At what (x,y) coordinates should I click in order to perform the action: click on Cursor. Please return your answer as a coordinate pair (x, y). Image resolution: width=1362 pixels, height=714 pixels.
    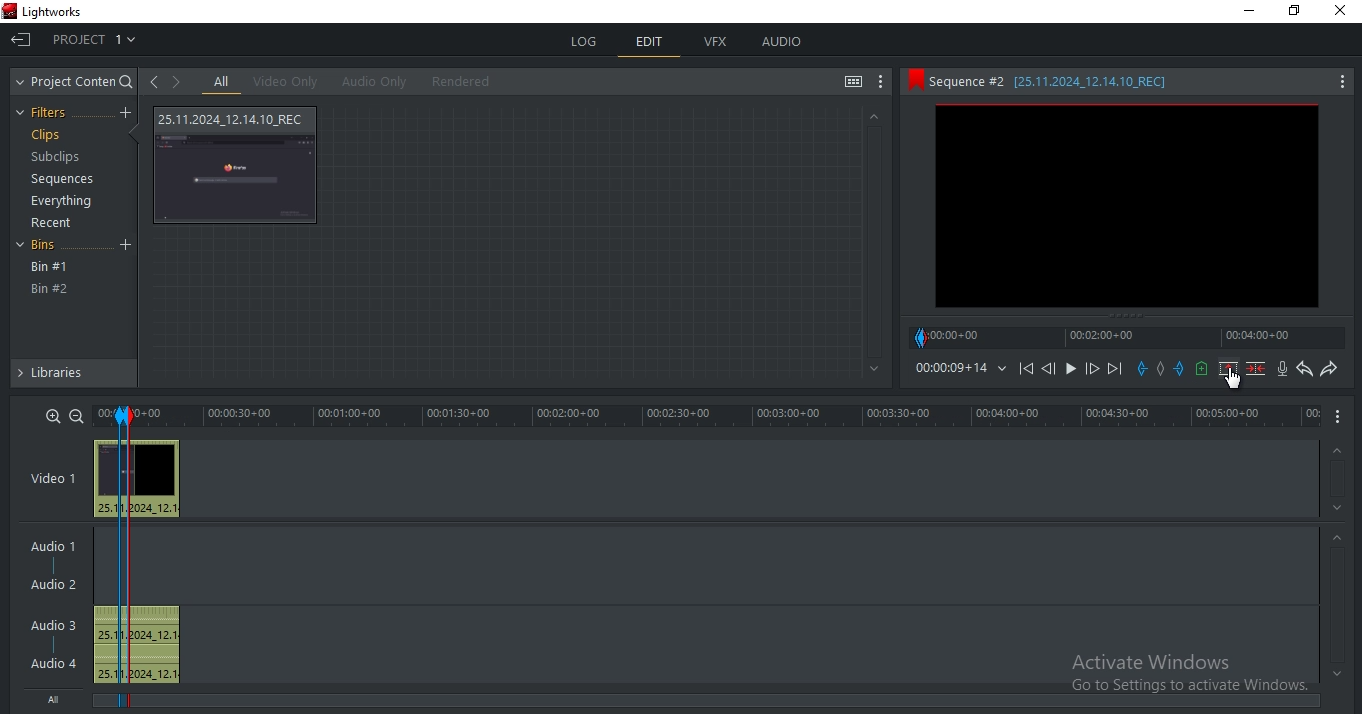
    Looking at the image, I should click on (1235, 380).